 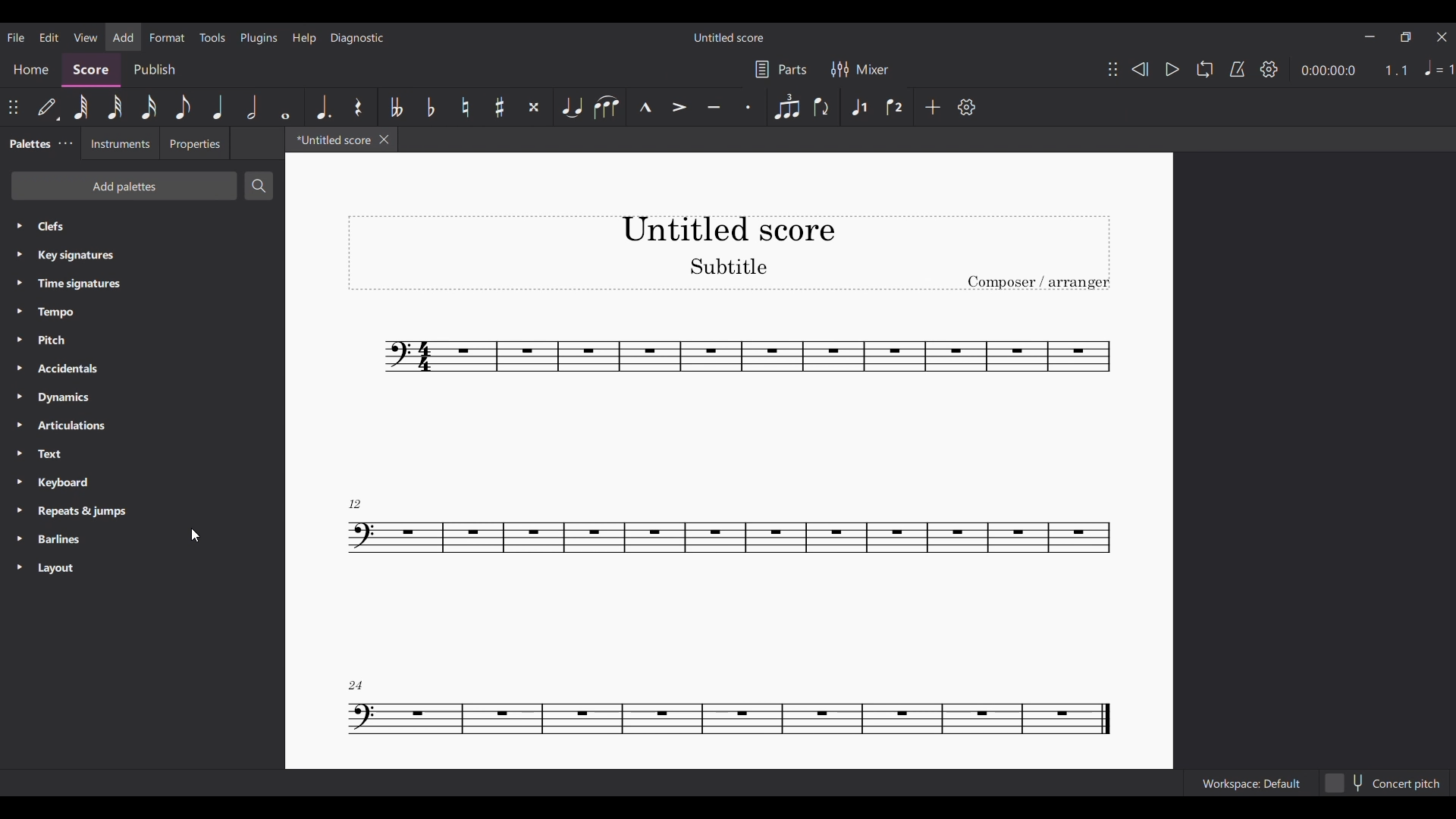 What do you see at coordinates (49, 541) in the screenshot?
I see `Barlines` at bounding box center [49, 541].